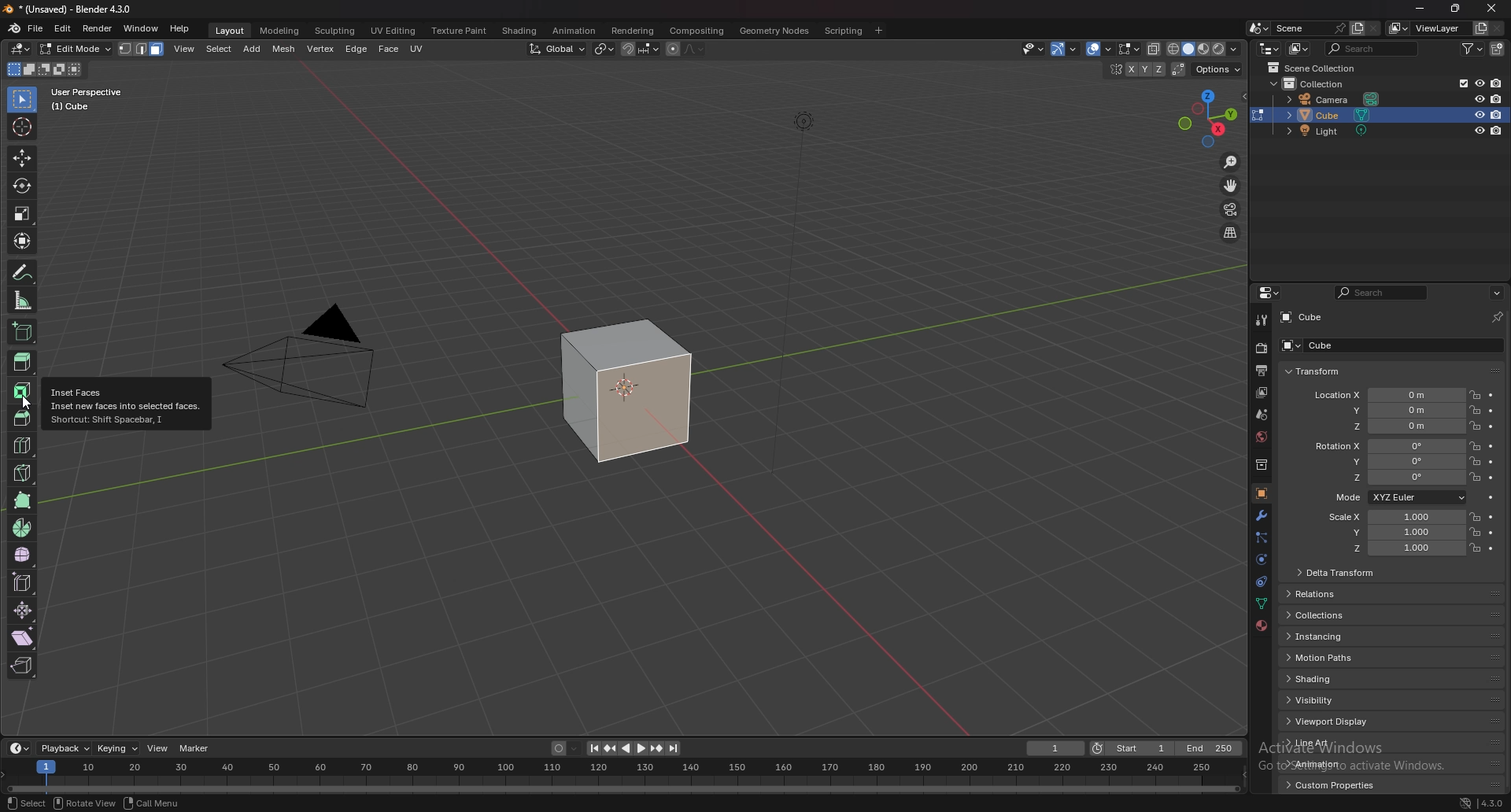 This screenshot has height=812, width=1511. I want to click on edge slide, so click(24, 582).